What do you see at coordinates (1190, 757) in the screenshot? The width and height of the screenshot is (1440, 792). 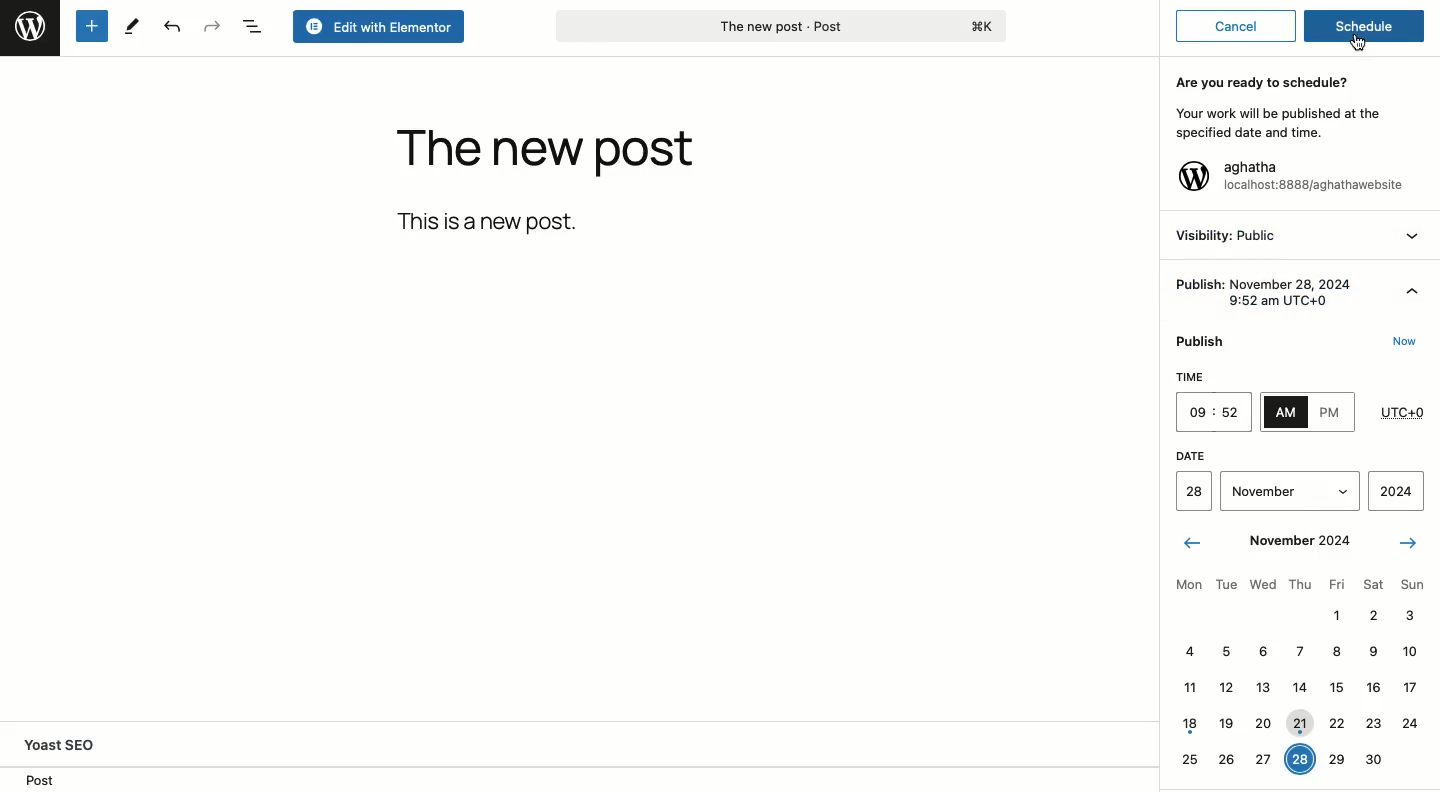 I see `25` at bounding box center [1190, 757].